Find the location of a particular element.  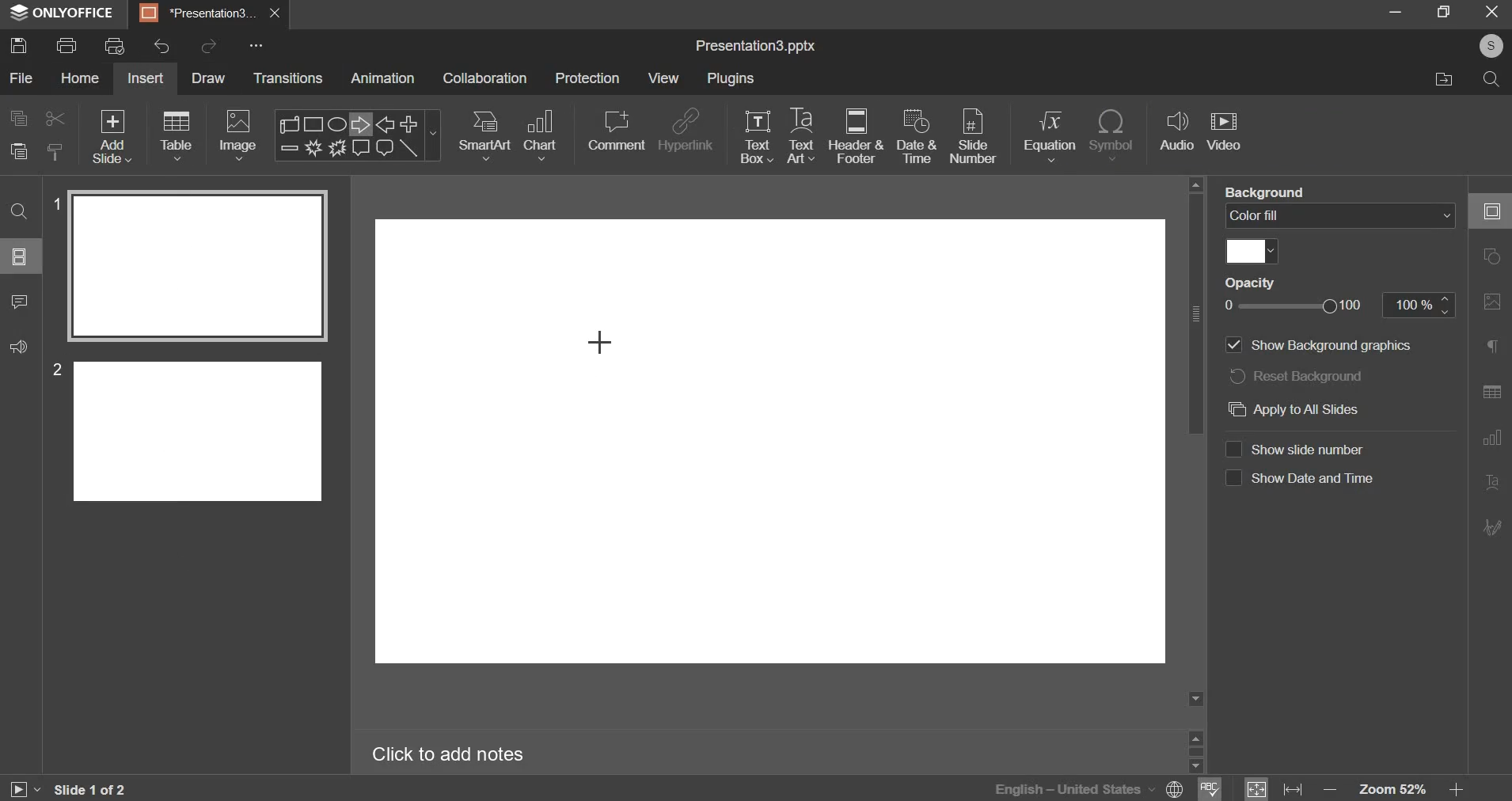

decrease zoom is located at coordinates (1331, 790).